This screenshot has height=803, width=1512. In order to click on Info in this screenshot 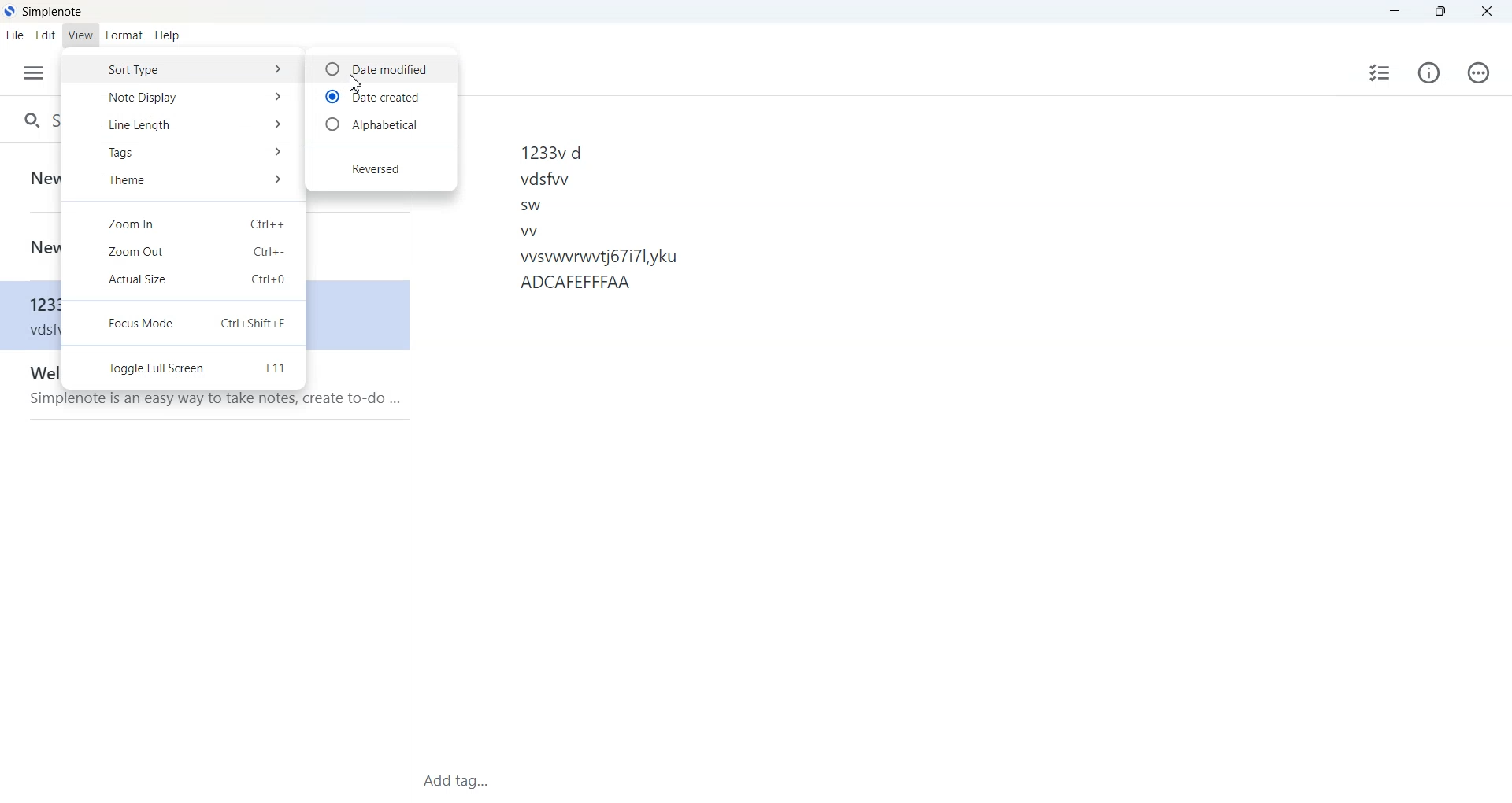, I will do `click(1429, 72)`.